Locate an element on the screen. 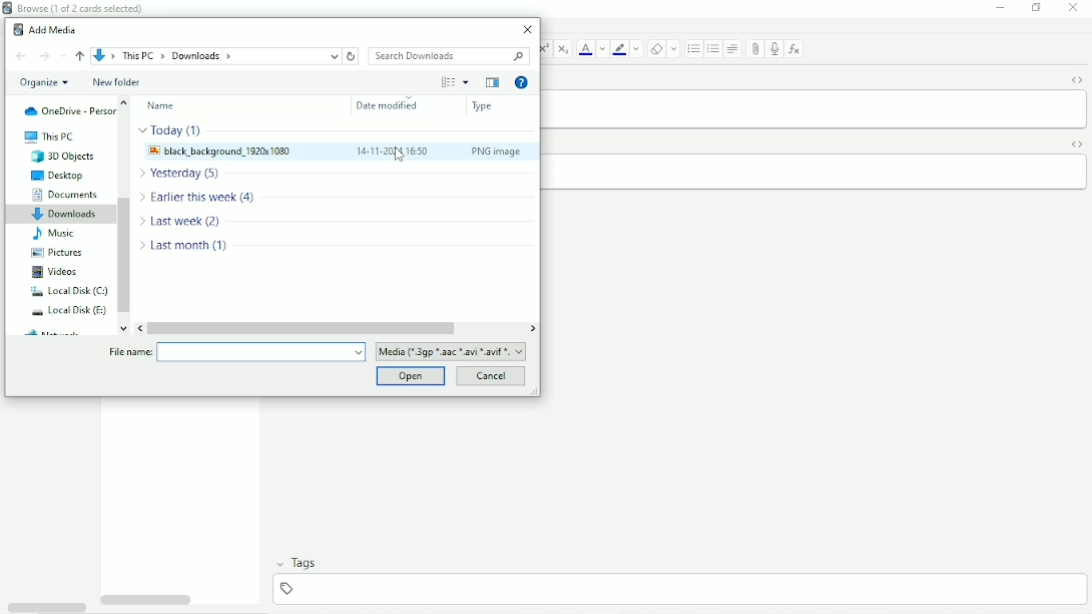  Close is located at coordinates (526, 30).